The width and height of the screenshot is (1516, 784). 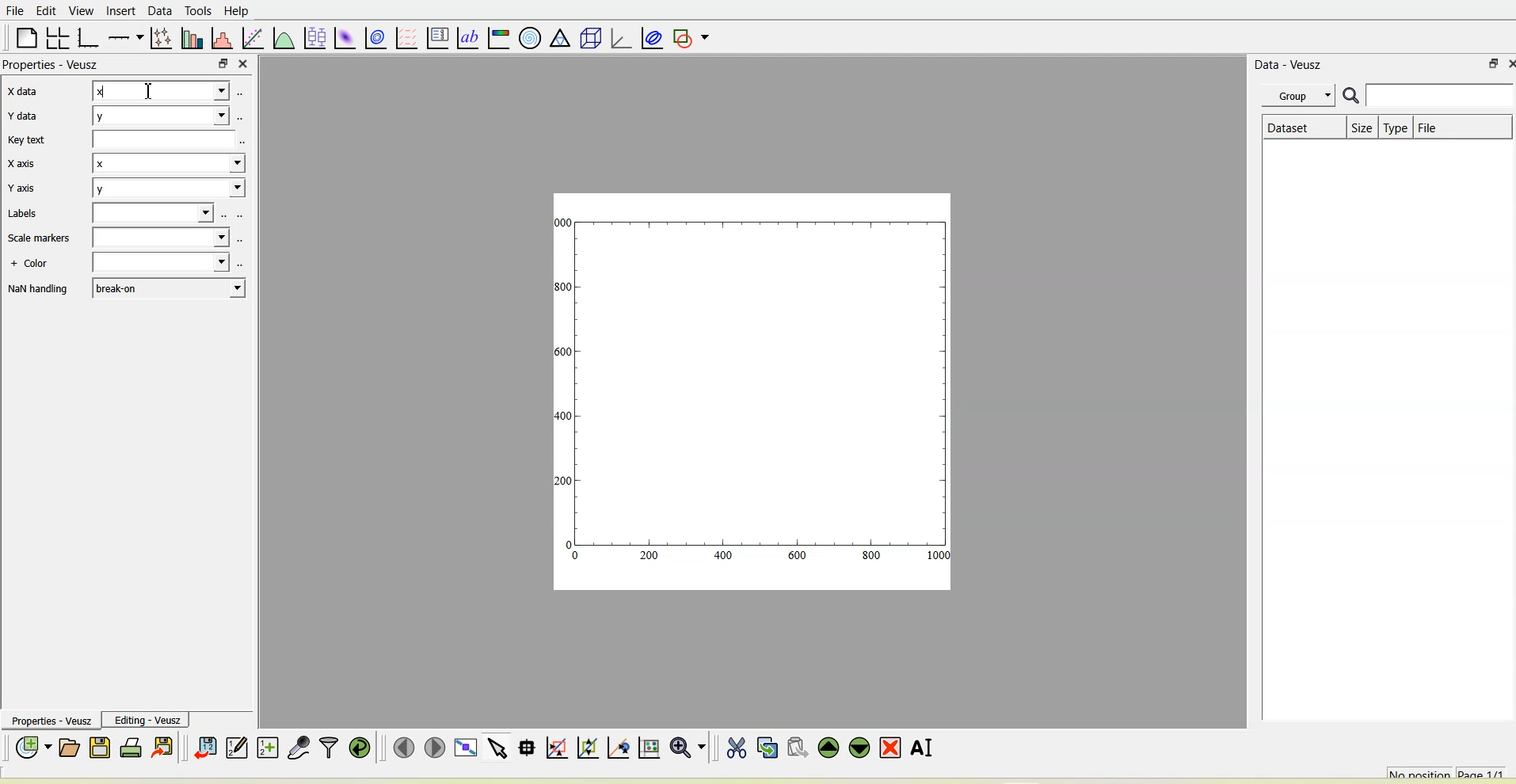 What do you see at coordinates (722, 557) in the screenshot?
I see `400` at bounding box center [722, 557].